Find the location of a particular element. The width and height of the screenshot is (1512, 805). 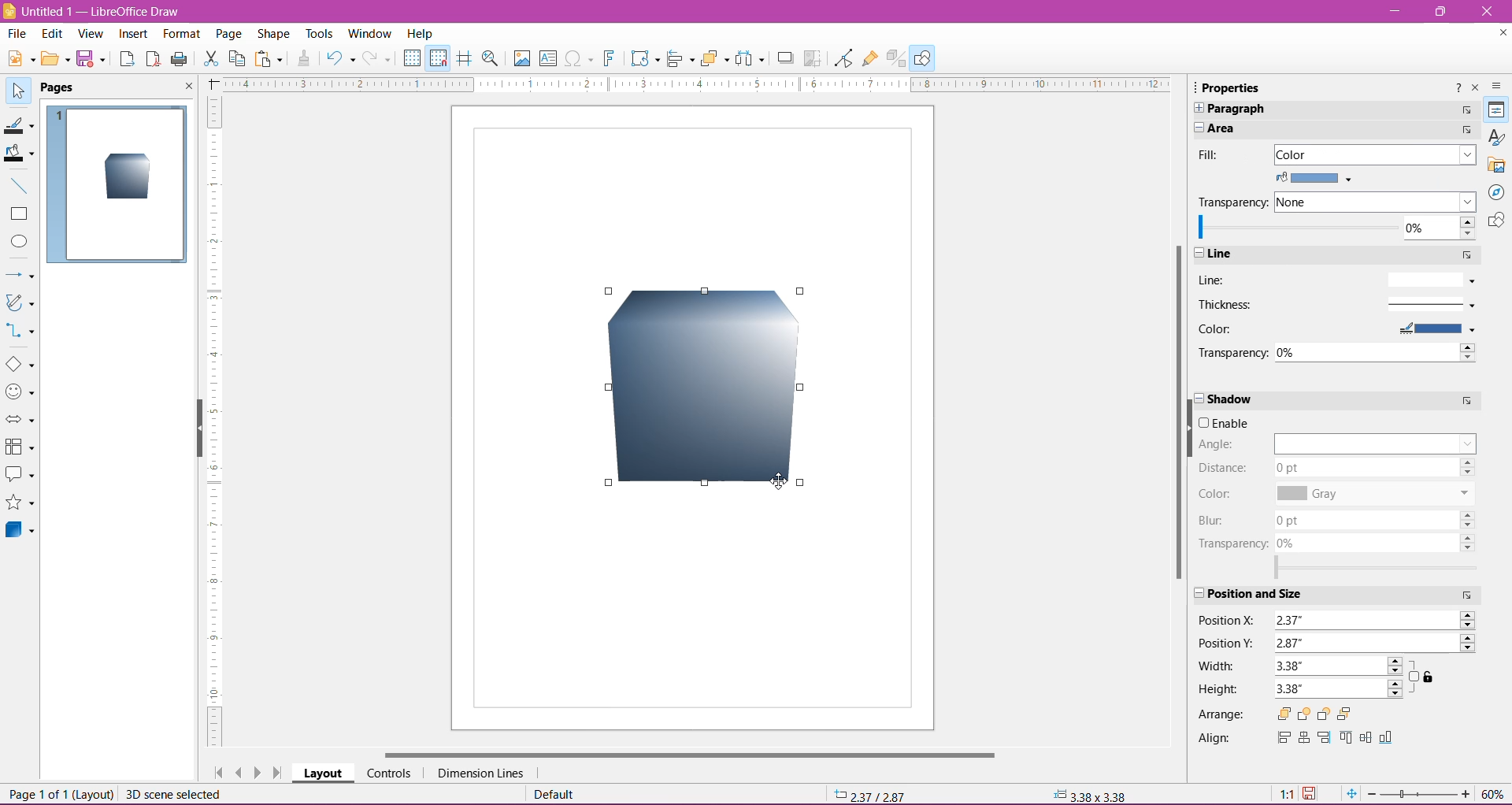

Fill Color is located at coordinates (1319, 178).